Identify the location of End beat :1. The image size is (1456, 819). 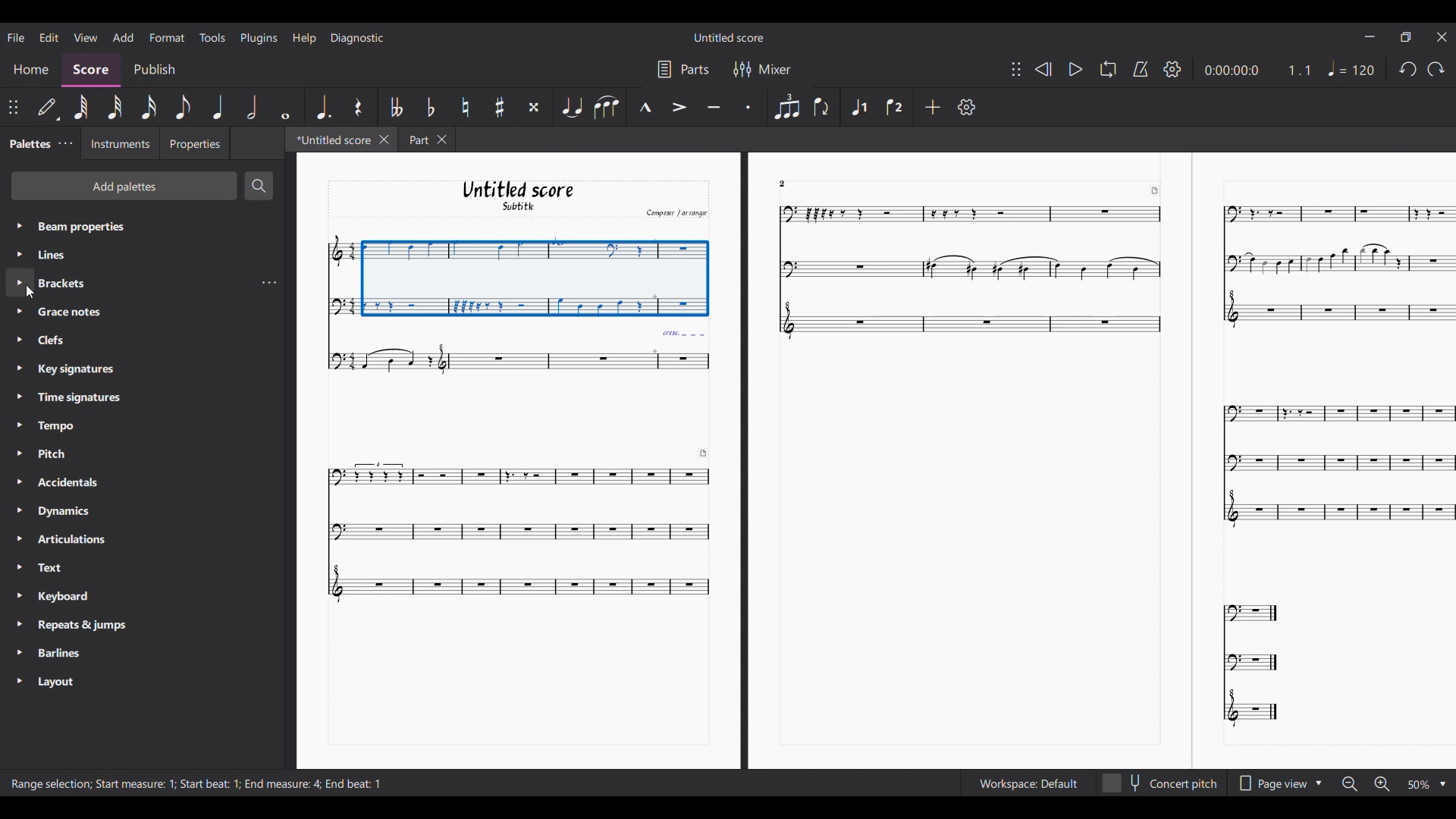
(354, 783).